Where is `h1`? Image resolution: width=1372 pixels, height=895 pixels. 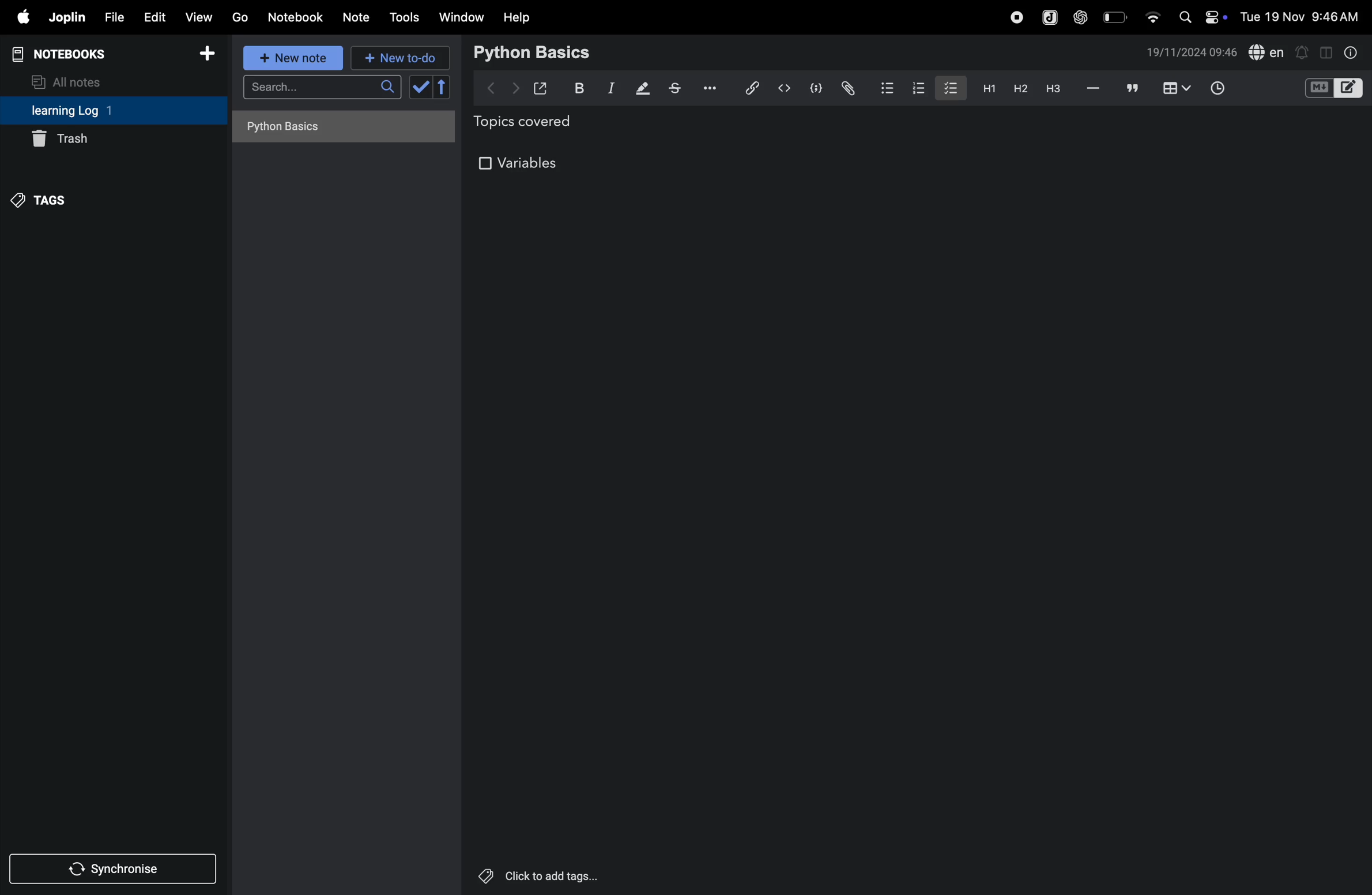
h1 is located at coordinates (986, 88).